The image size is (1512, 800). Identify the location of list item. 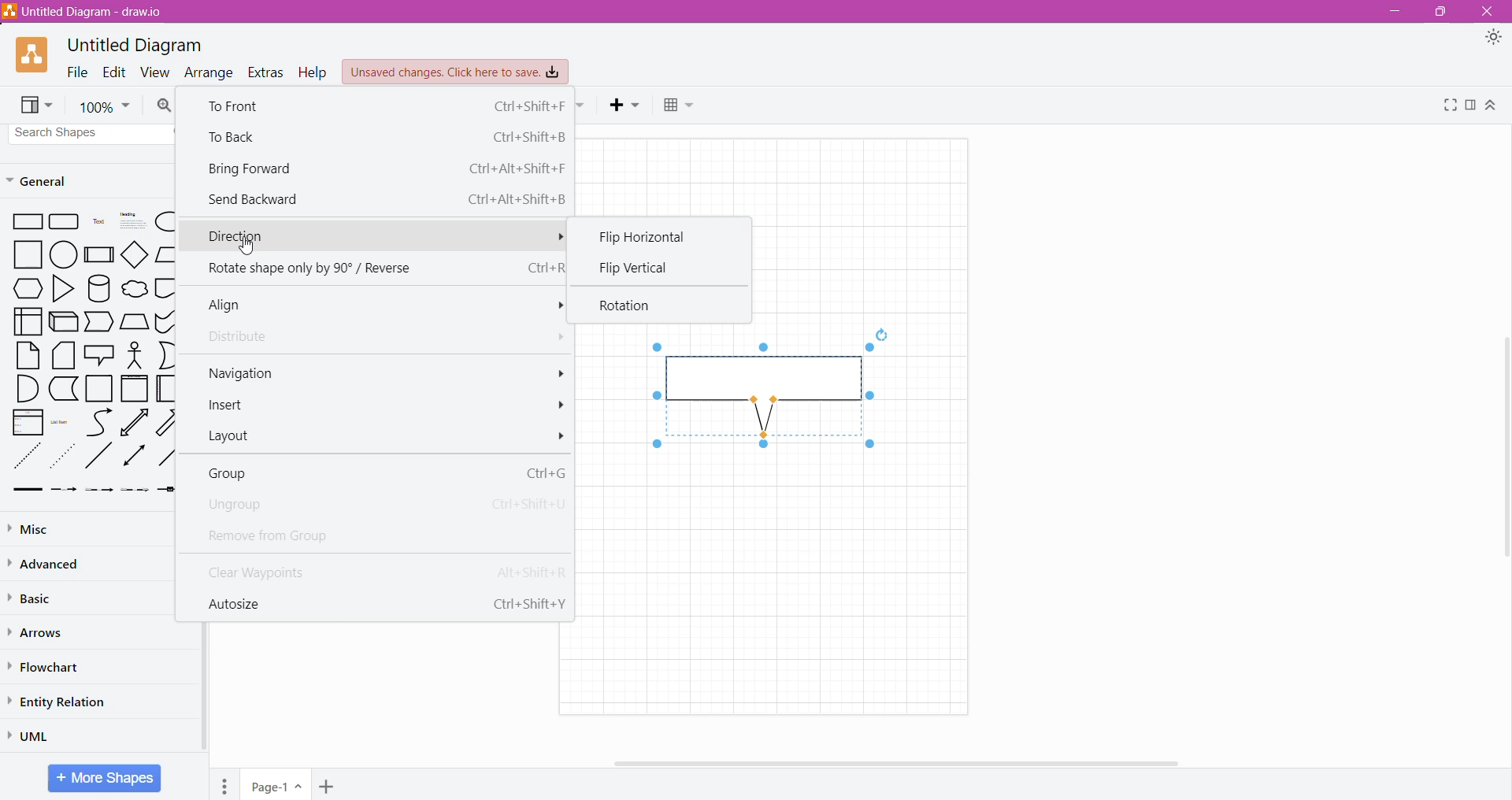
(63, 421).